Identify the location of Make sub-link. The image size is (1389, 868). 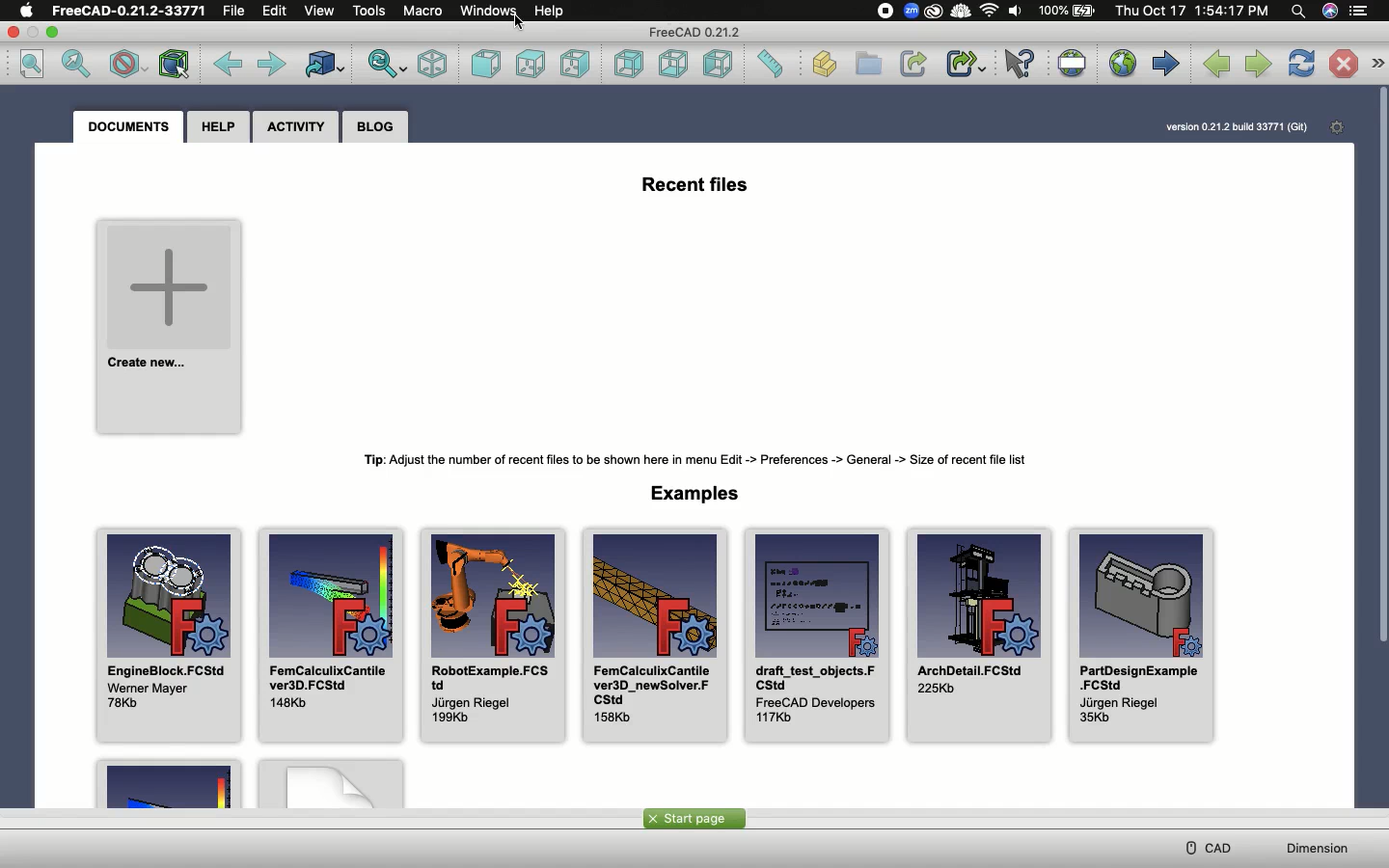
(967, 65).